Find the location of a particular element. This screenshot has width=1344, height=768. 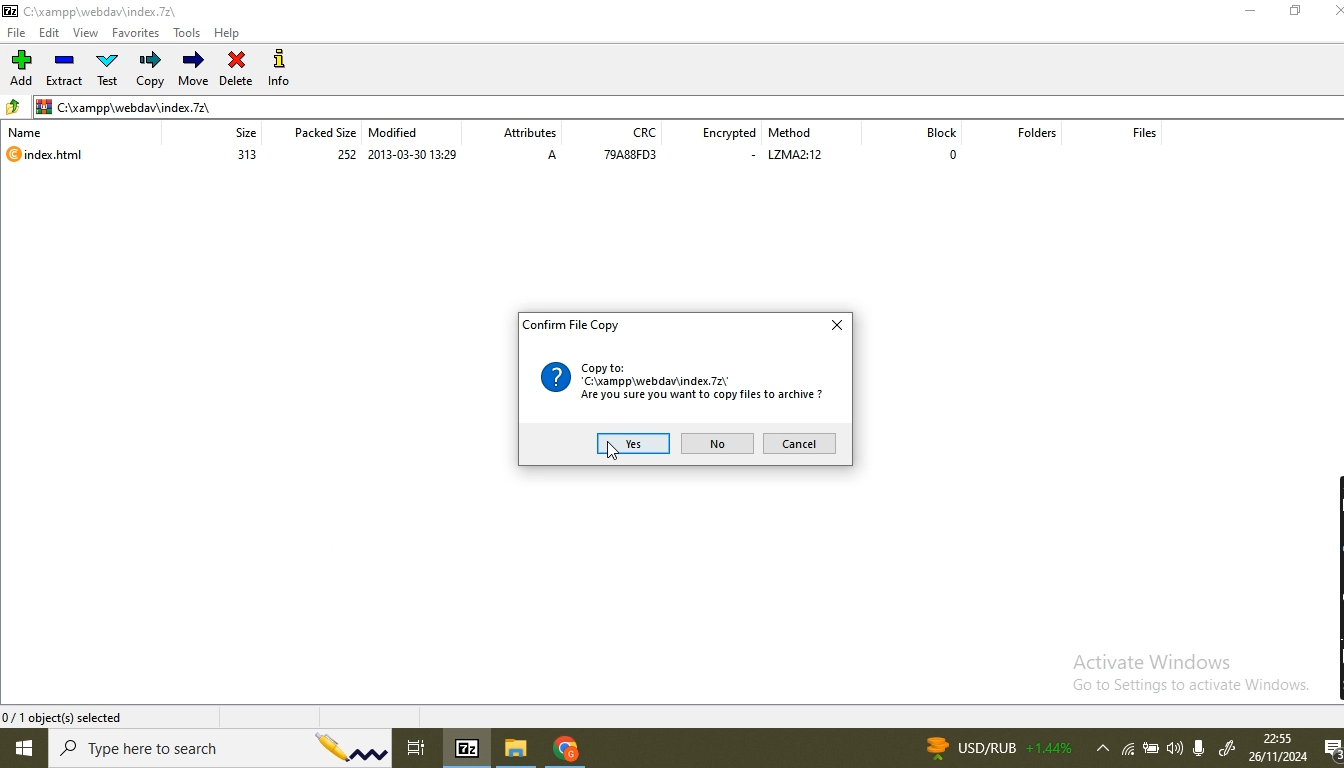

wifi is located at coordinates (1129, 751).